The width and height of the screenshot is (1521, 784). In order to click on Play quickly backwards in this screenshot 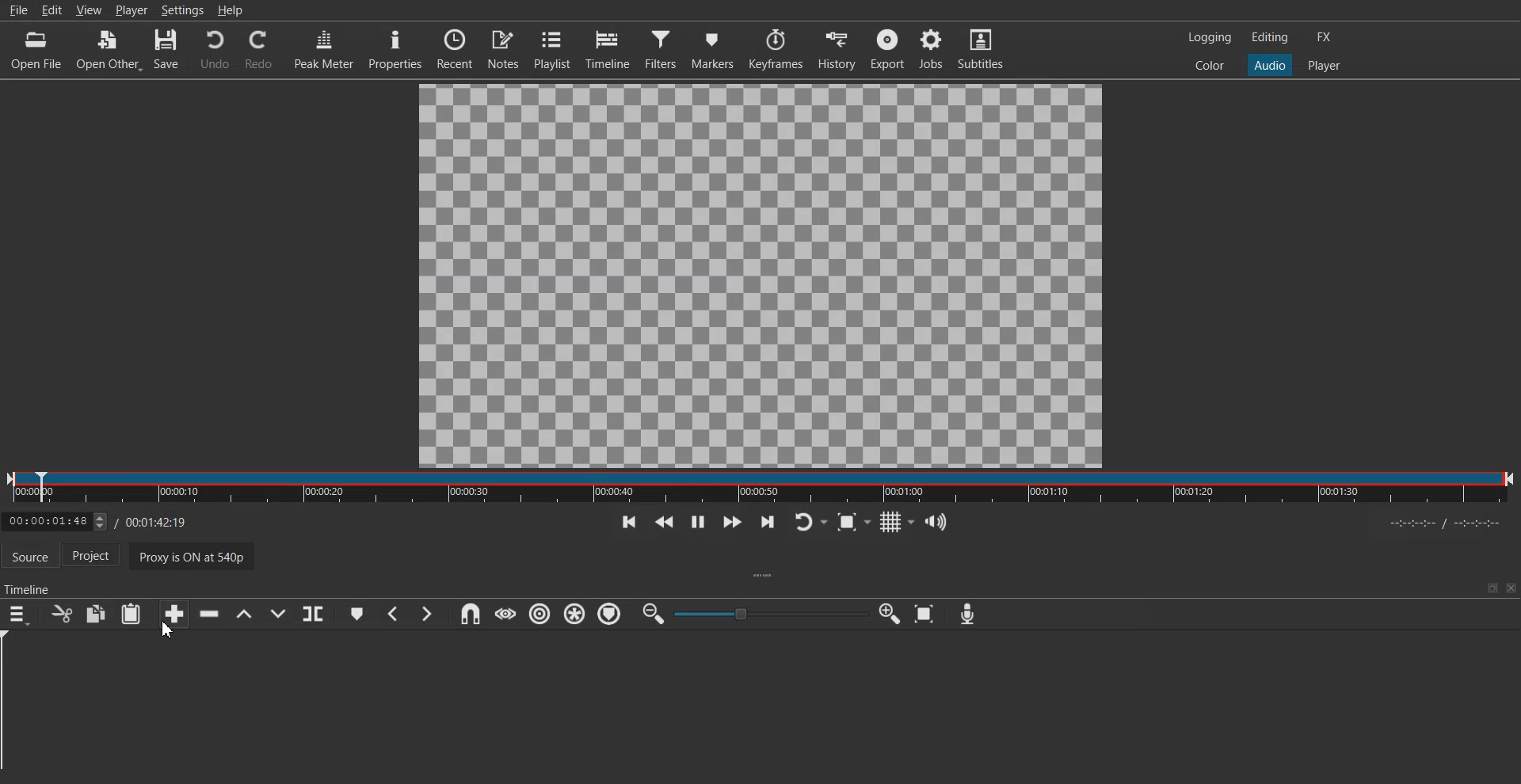, I will do `click(663, 521)`.